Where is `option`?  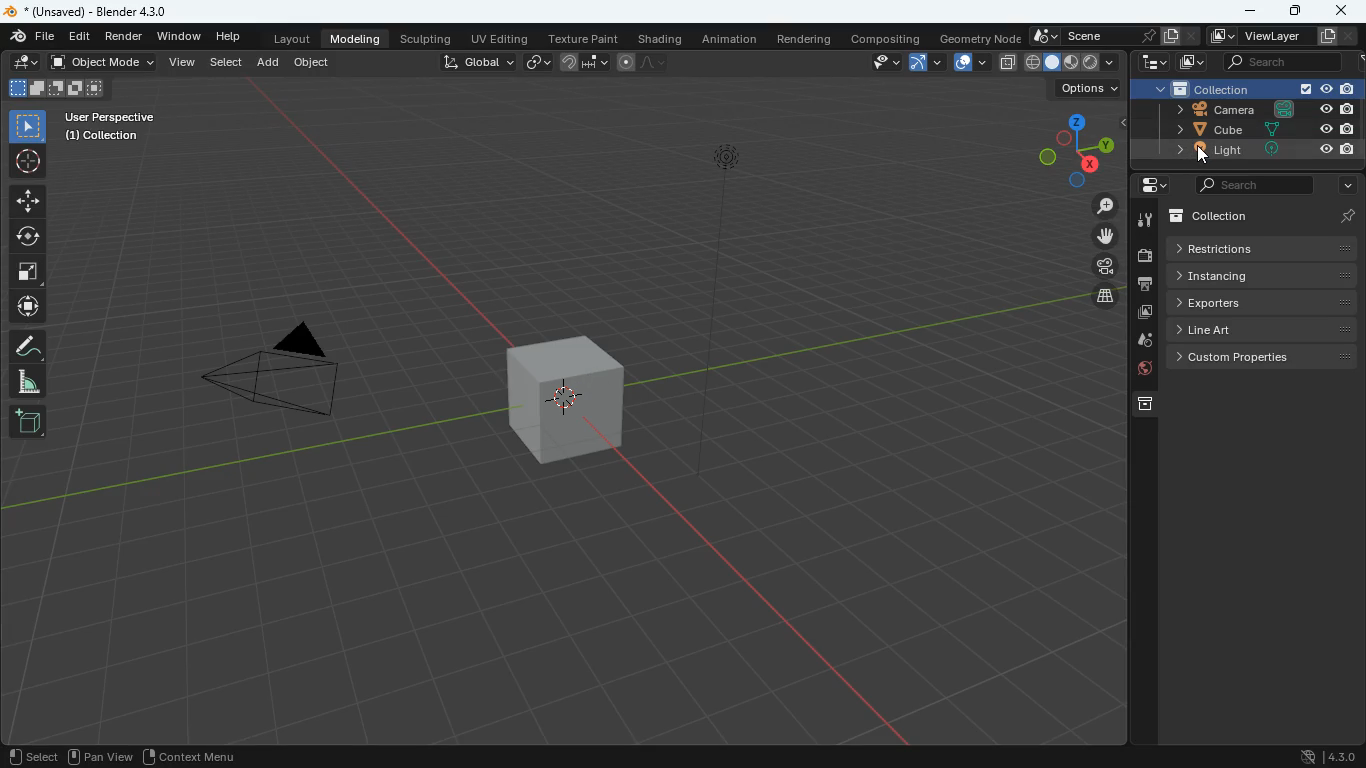
option is located at coordinates (1084, 89).